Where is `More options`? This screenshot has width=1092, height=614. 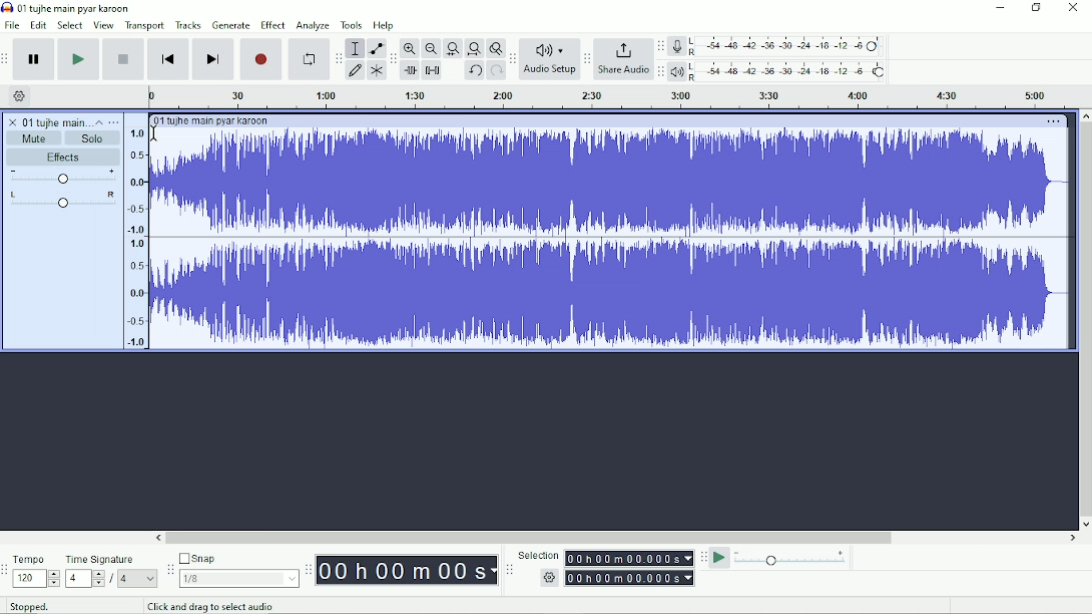 More options is located at coordinates (113, 122).